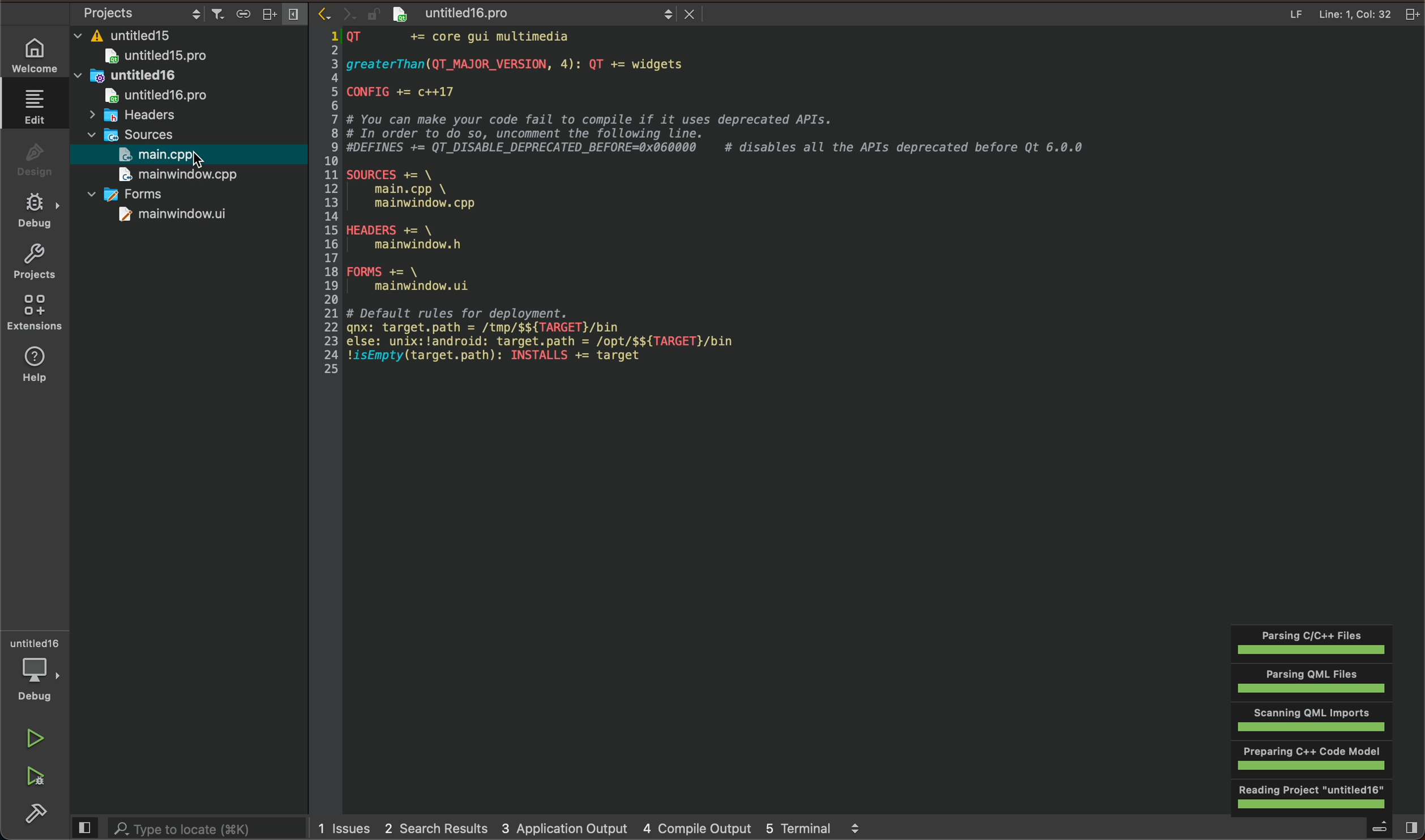  Describe the element at coordinates (35, 777) in the screenshot. I see `run and build` at that location.